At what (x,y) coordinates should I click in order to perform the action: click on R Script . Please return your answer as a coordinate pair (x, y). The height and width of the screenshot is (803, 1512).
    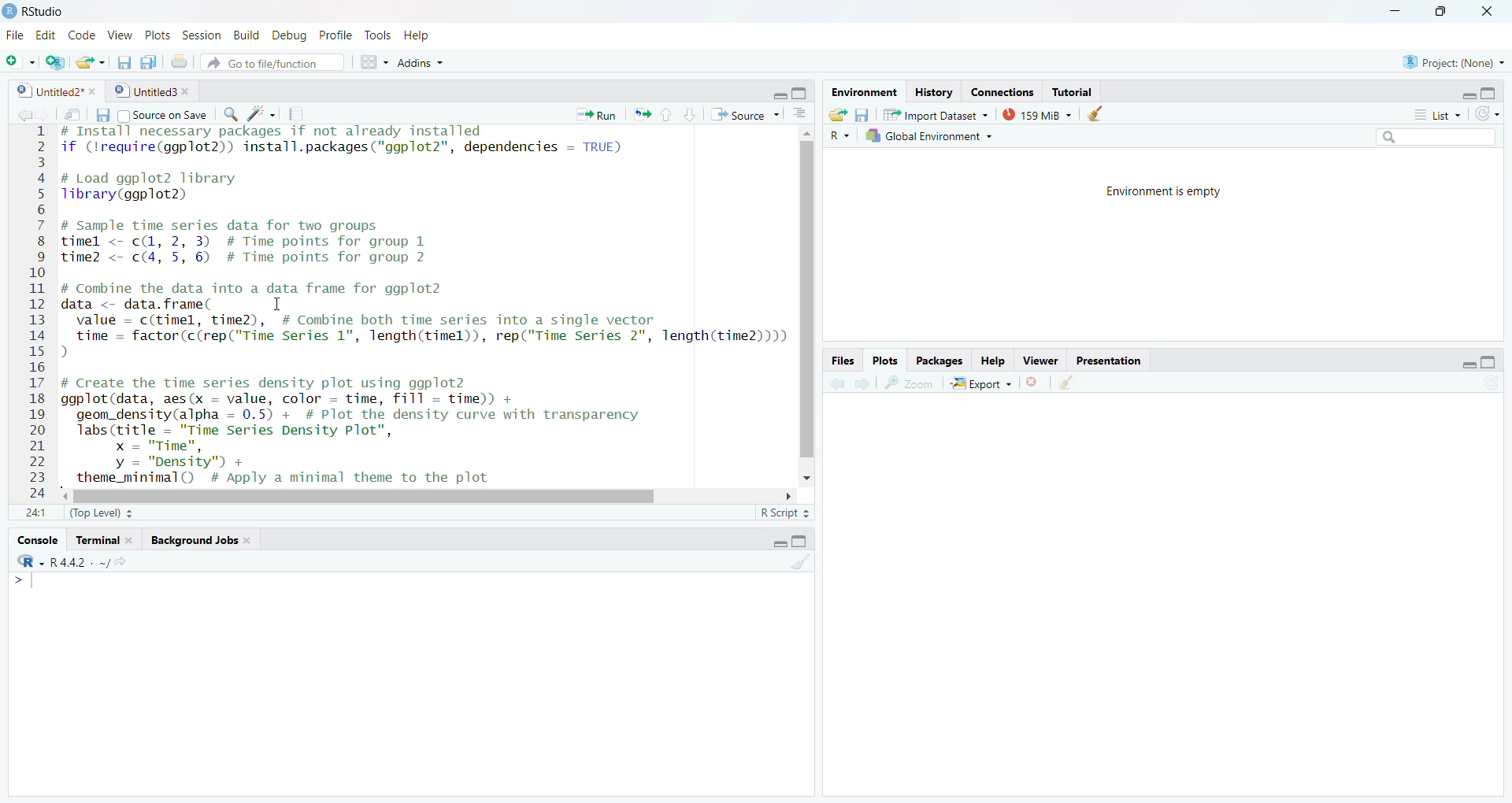
    Looking at the image, I should click on (784, 514).